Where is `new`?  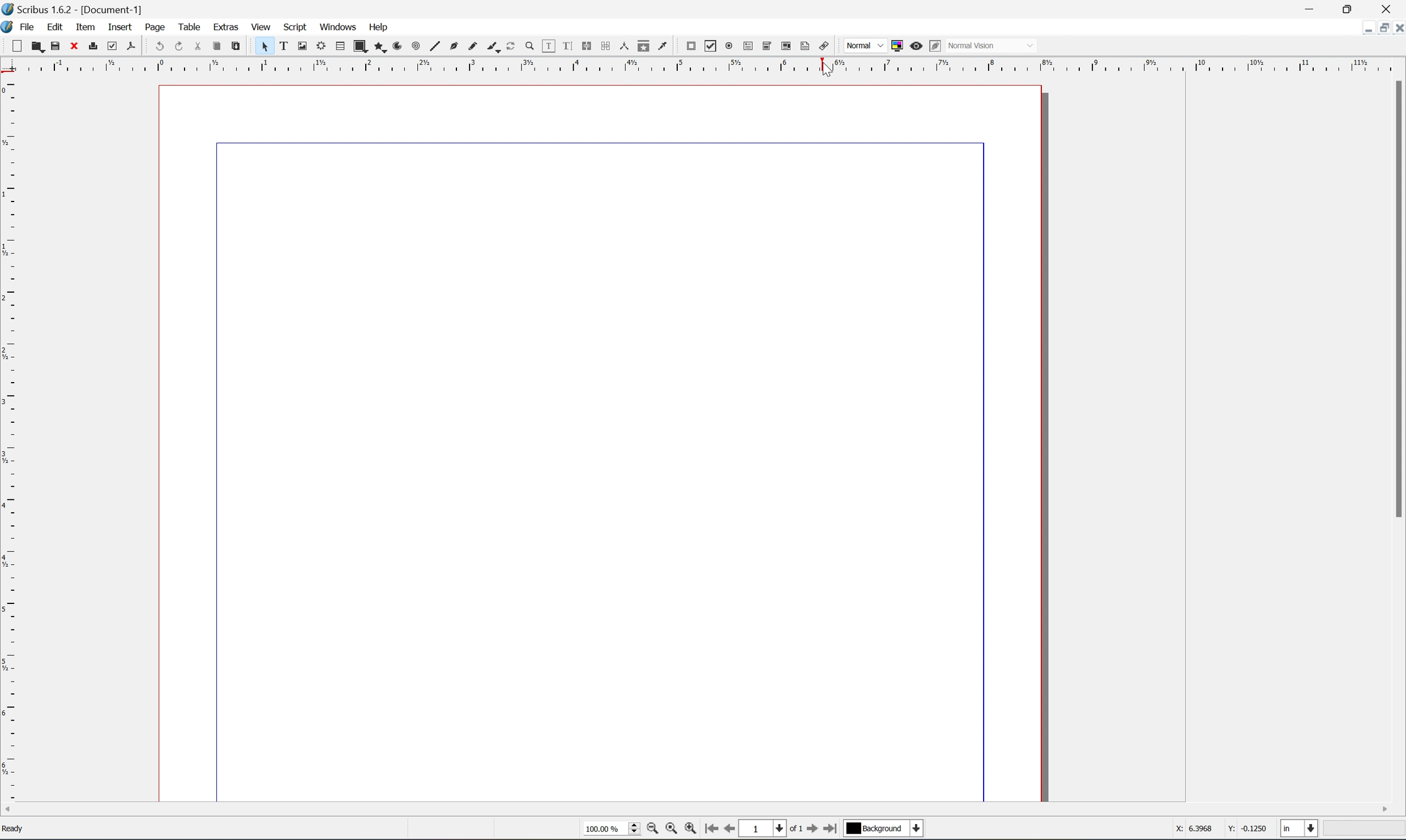
new is located at coordinates (16, 47).